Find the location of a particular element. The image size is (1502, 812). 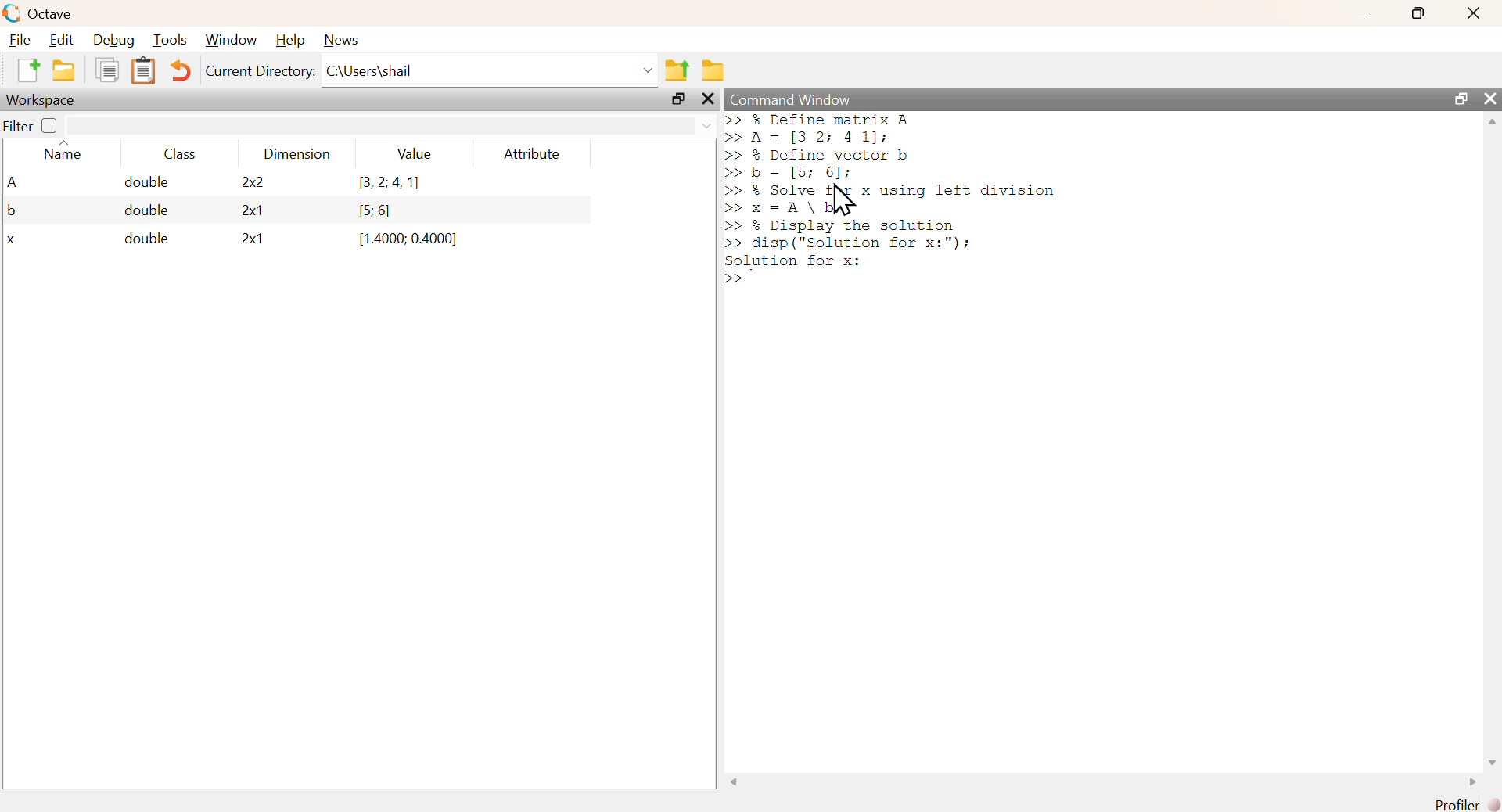

2x2 is located at coordinates (243, 183).